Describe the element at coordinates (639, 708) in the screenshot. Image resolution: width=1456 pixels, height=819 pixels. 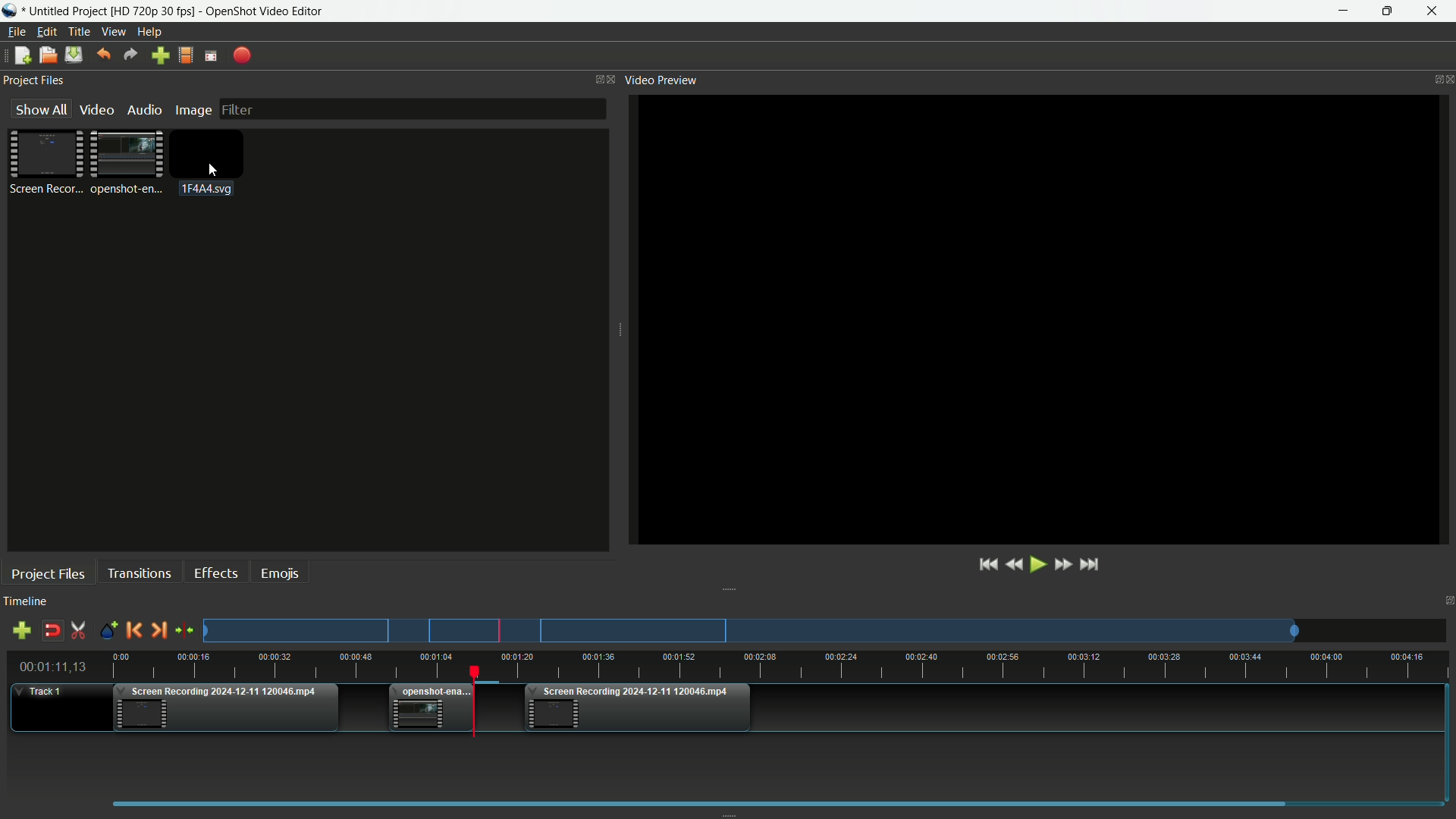
I see `Video three in timeline` at that location.